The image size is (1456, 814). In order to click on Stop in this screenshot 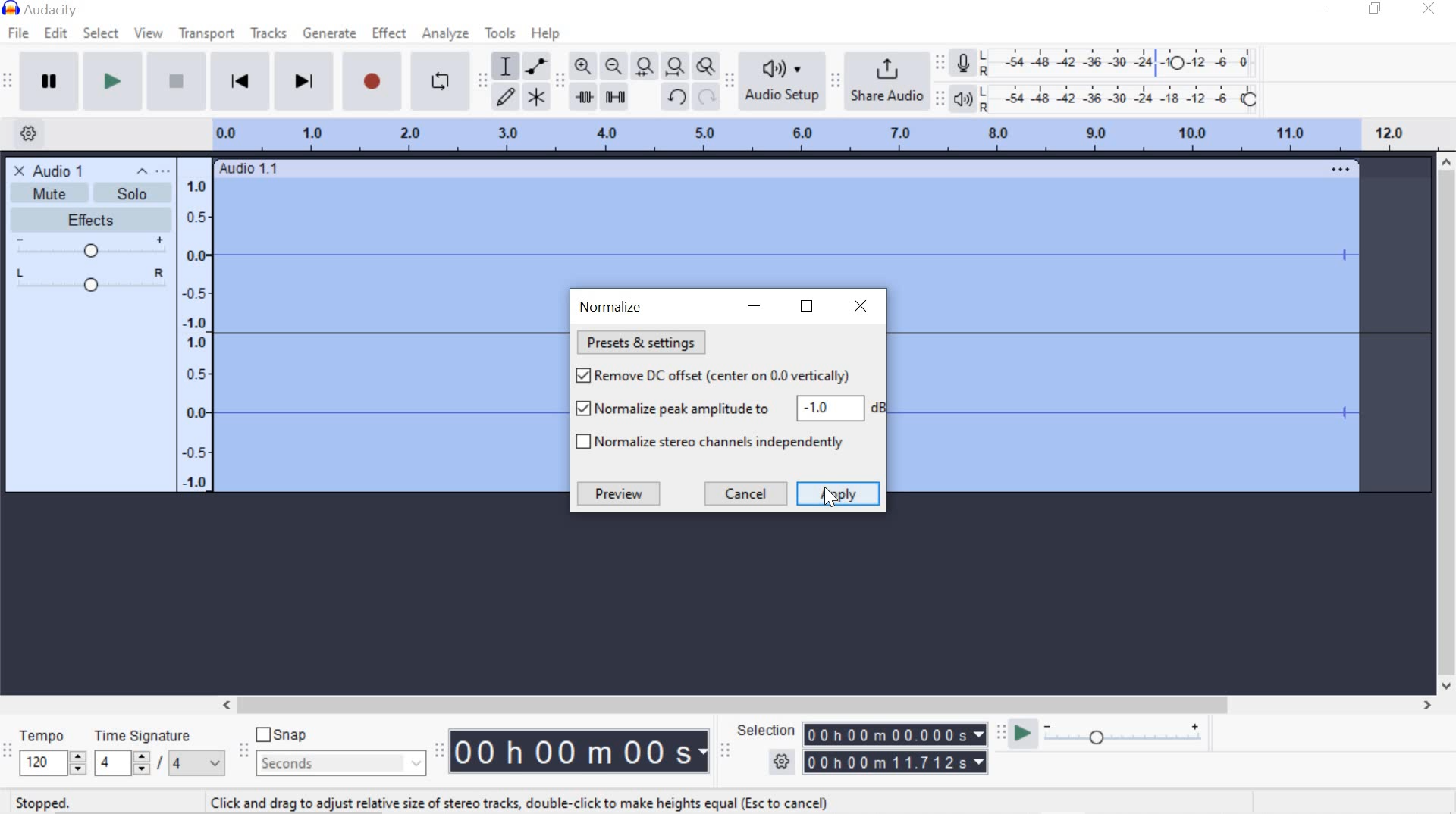, I will do `click(174, 83)`.